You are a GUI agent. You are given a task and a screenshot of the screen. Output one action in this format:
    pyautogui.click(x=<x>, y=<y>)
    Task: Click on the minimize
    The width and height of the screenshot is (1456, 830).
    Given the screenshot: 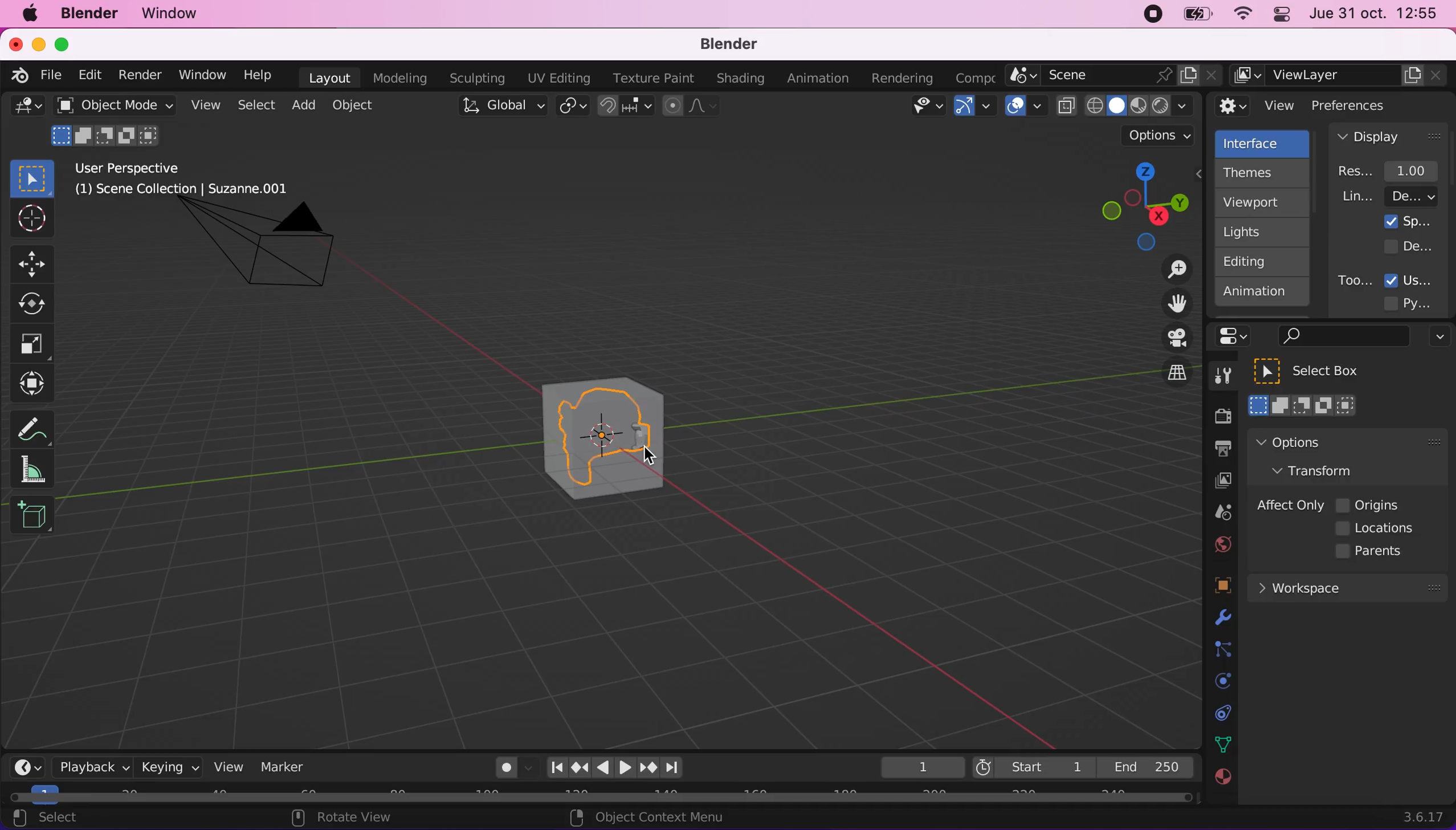 What is the action you would take?
    pyautogui.click(x=36, y=43)
    